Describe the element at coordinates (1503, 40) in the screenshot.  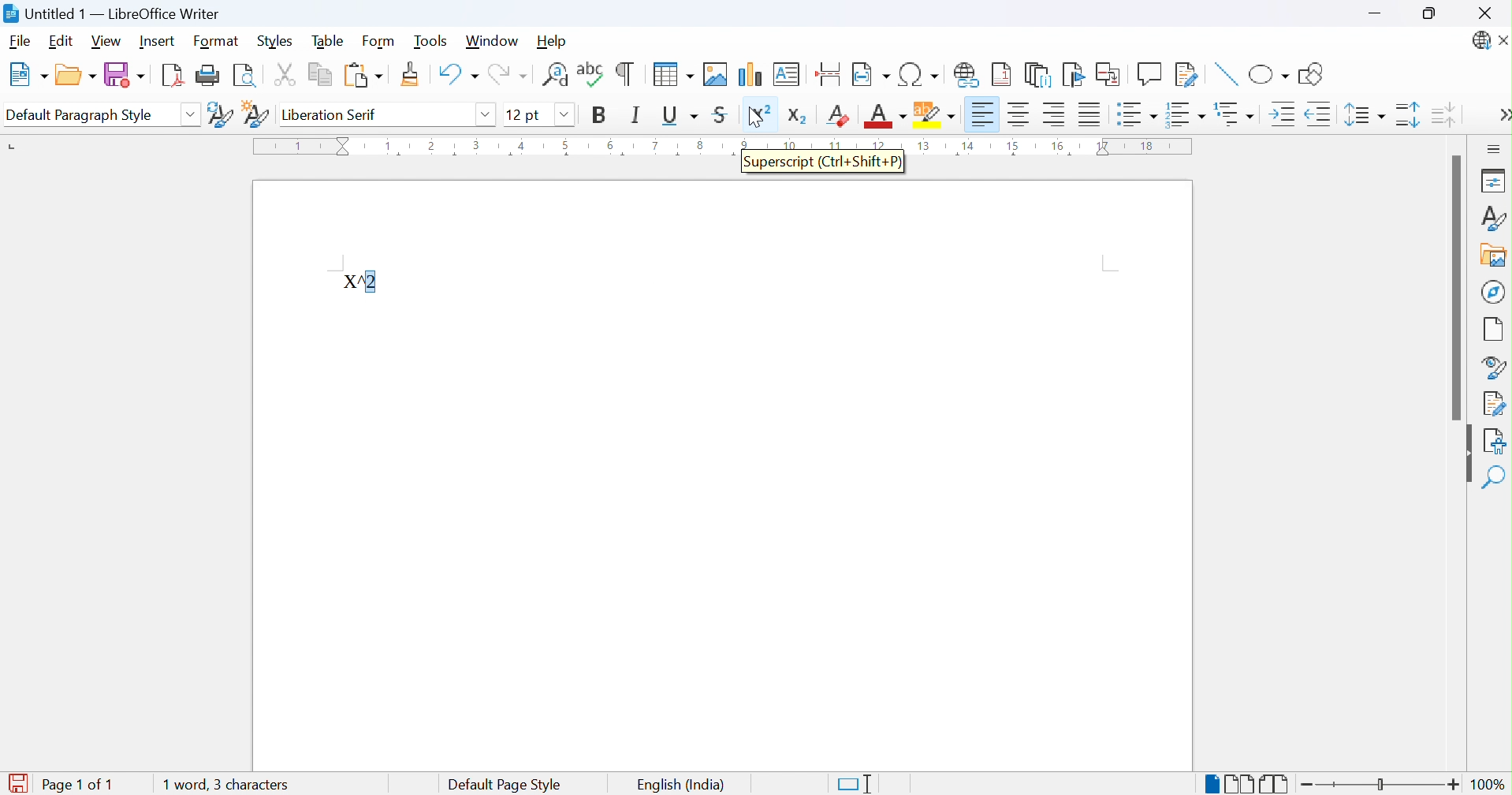
I see `Close` at that location.